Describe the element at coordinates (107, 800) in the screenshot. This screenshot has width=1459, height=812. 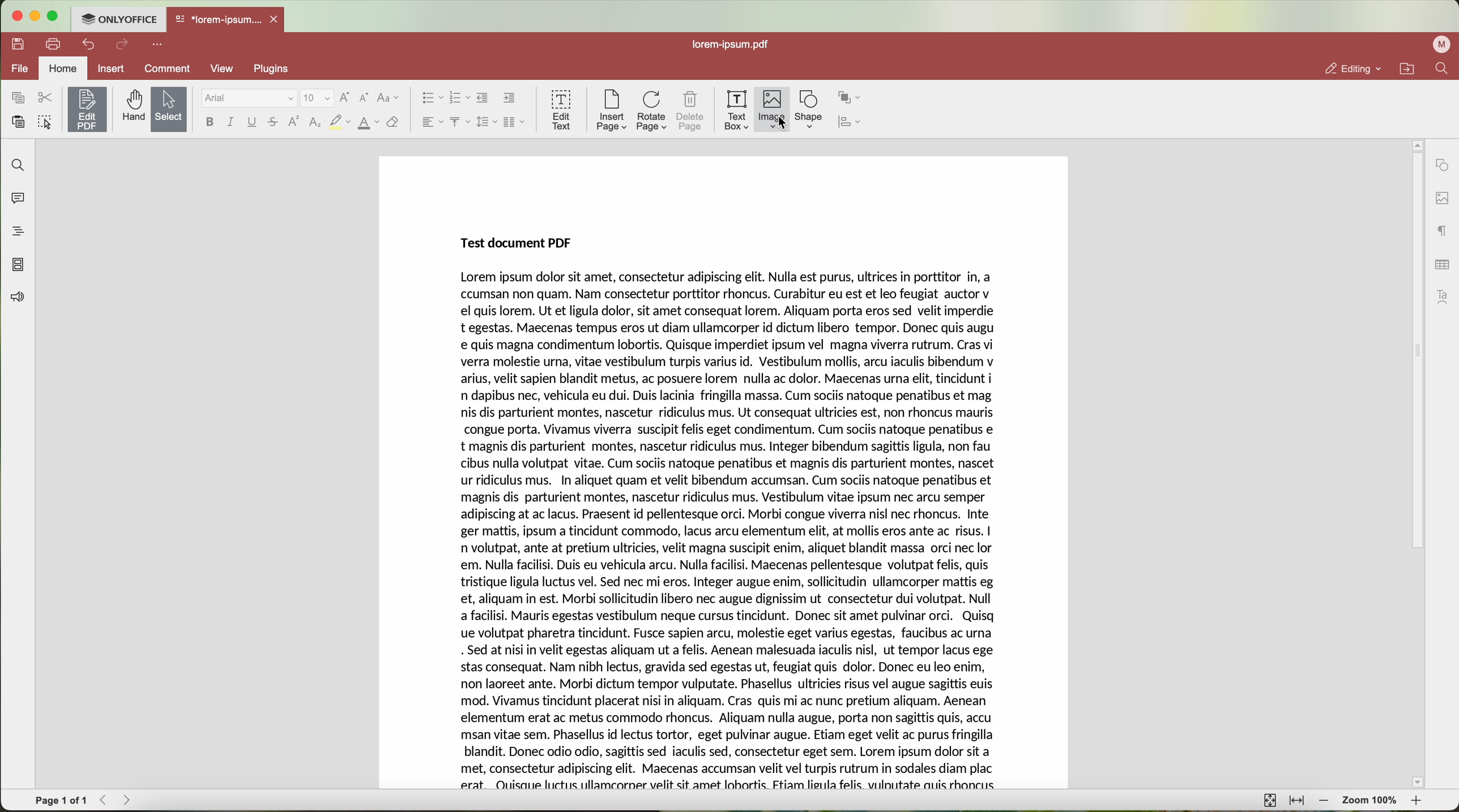
I see `Backward` at that location.